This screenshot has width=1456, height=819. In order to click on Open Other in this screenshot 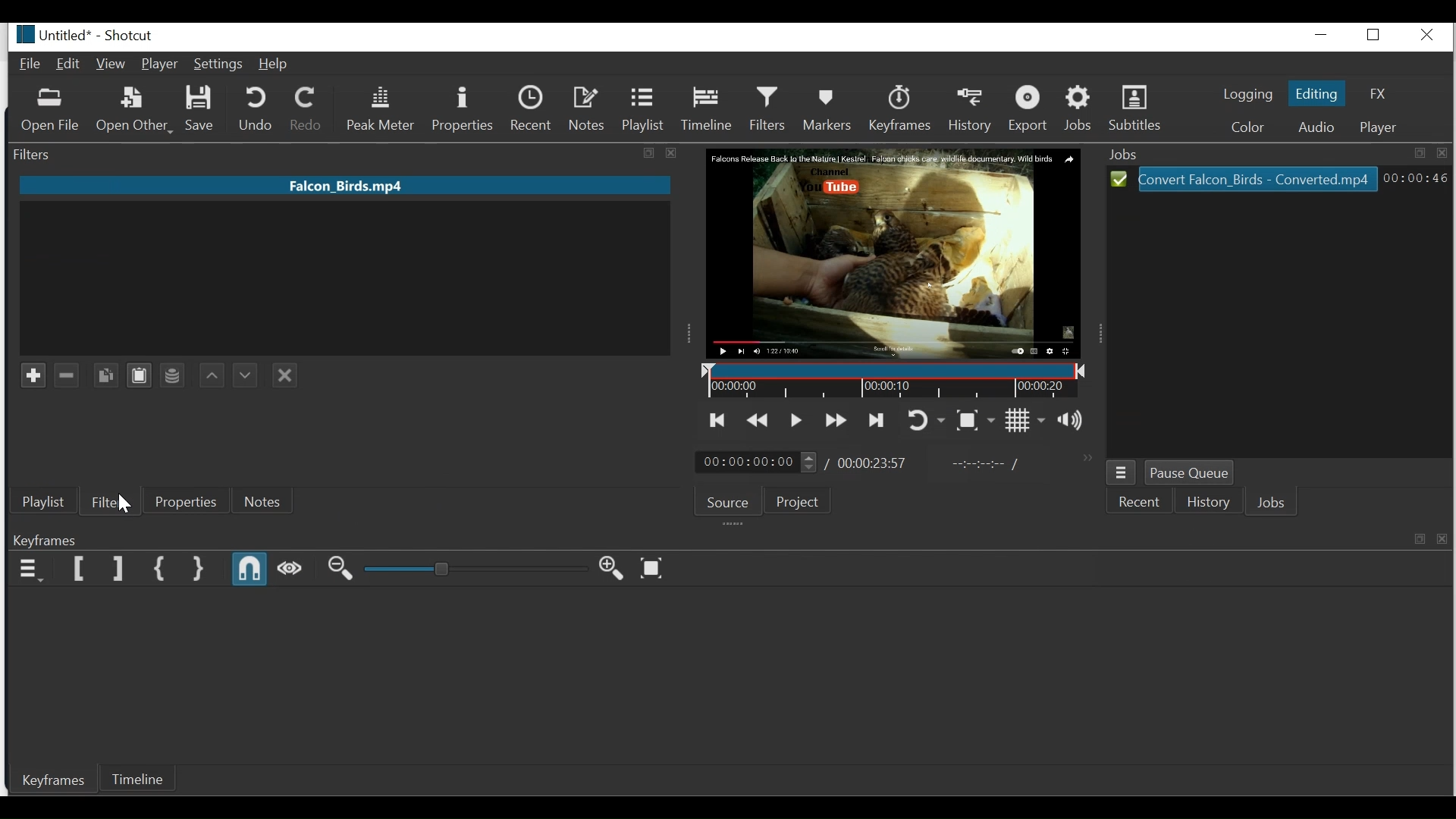, I will do `click(133, 111)`.